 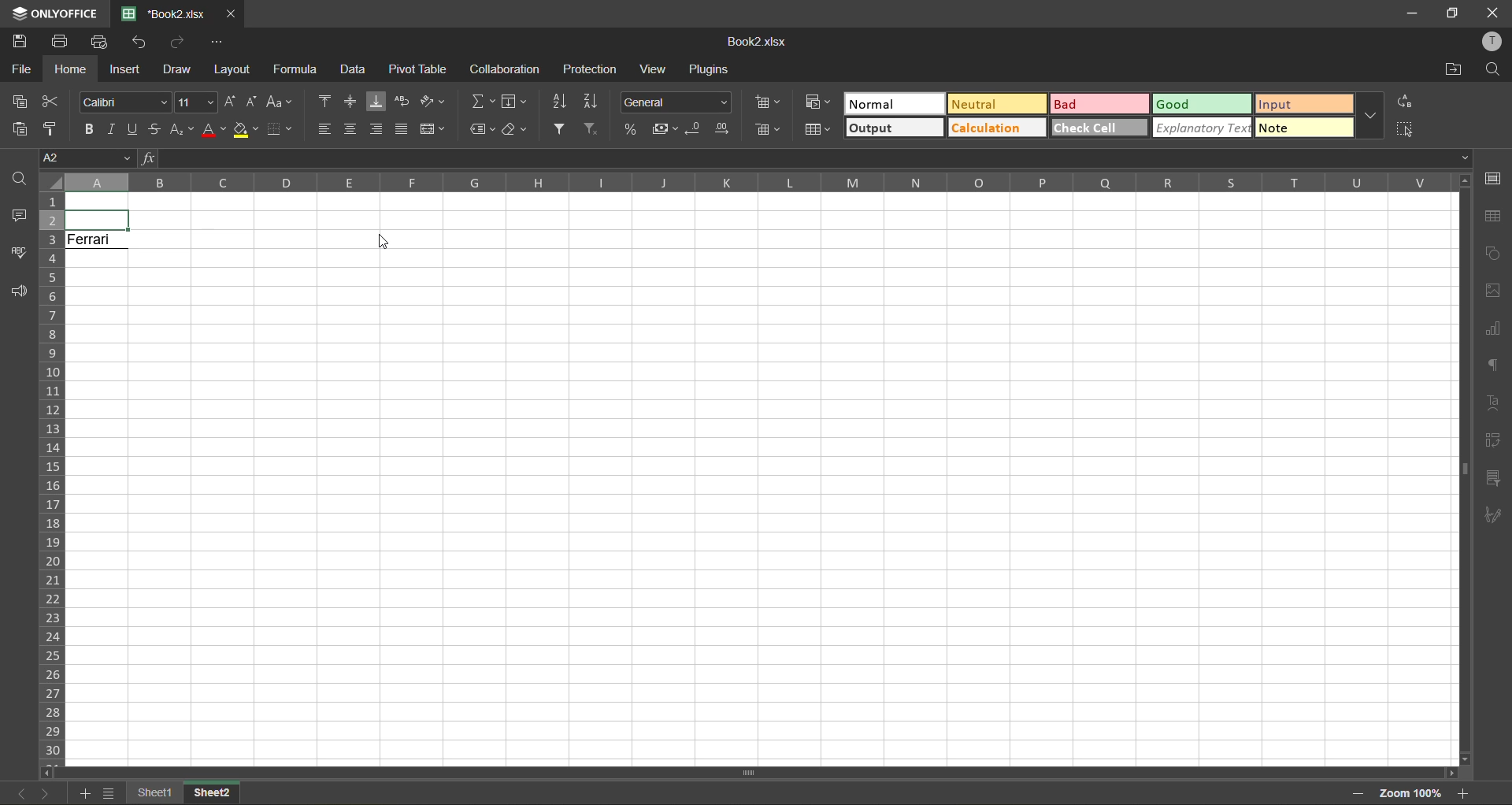 I want to click on select all, so click(x=1403, y=130).